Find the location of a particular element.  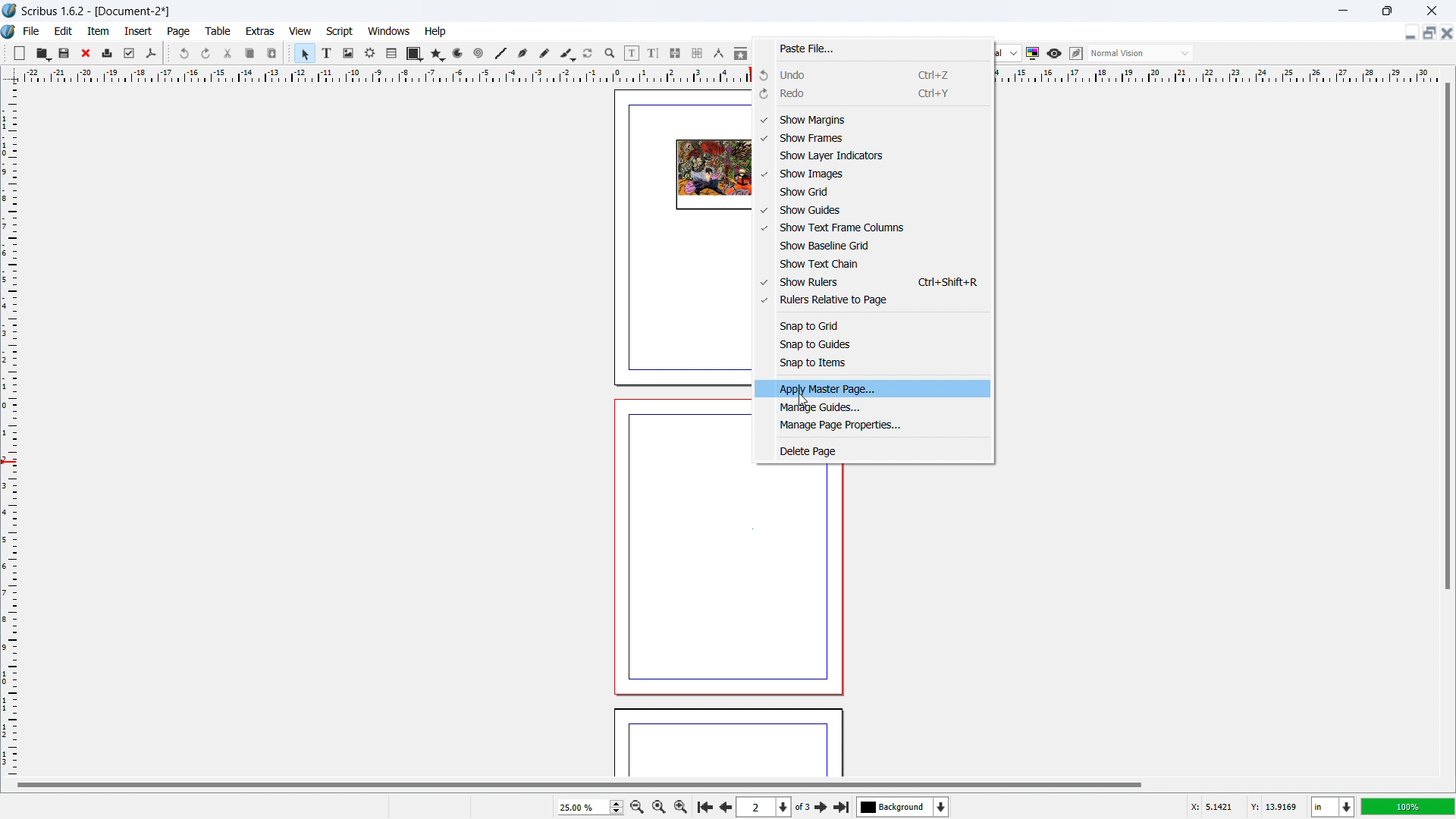

zoom in by the stepping value in tool preference is located at coordinates (681, 805).